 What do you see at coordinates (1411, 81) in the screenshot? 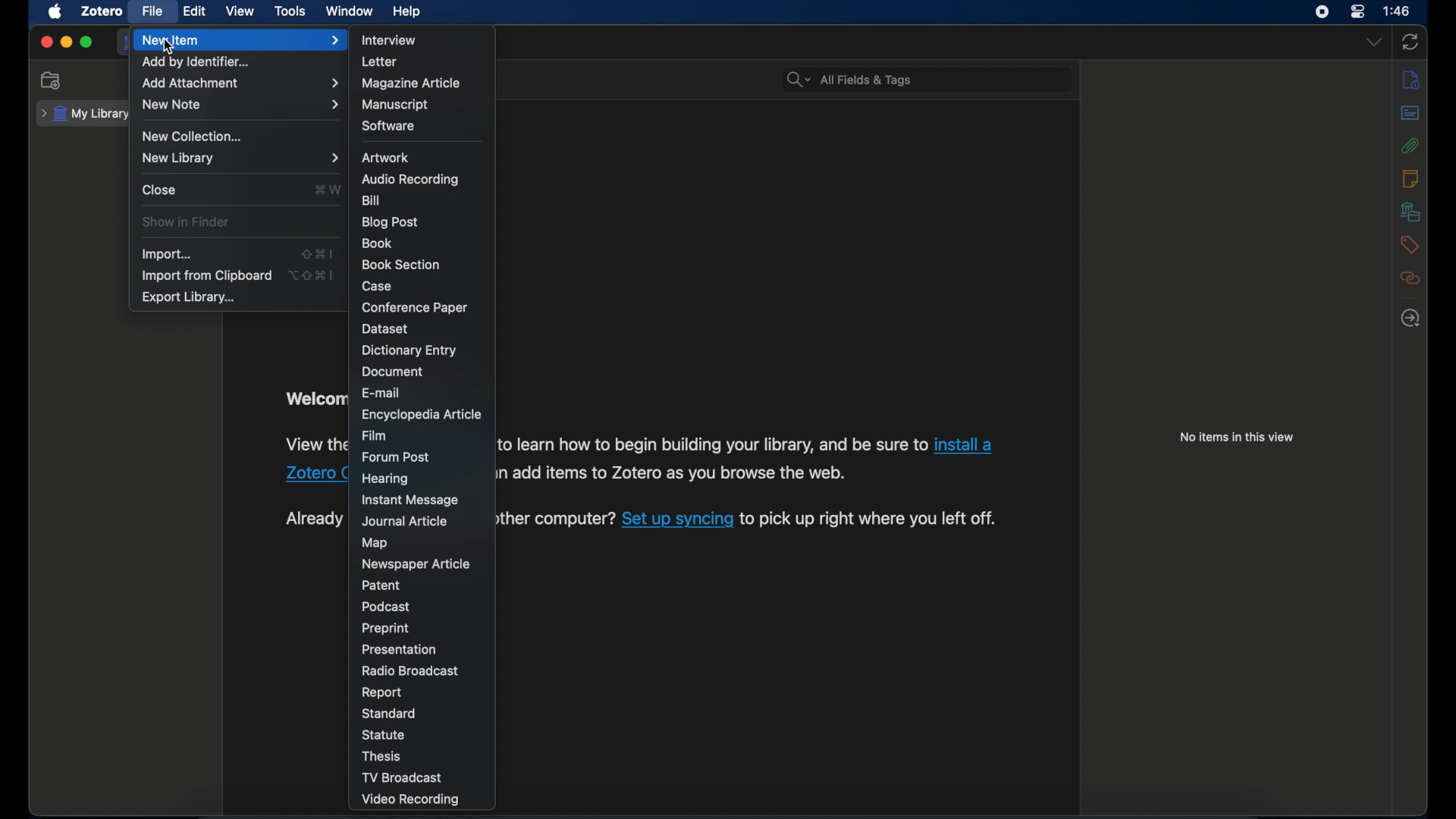
I see `info` at bounding box center [1411, 81].